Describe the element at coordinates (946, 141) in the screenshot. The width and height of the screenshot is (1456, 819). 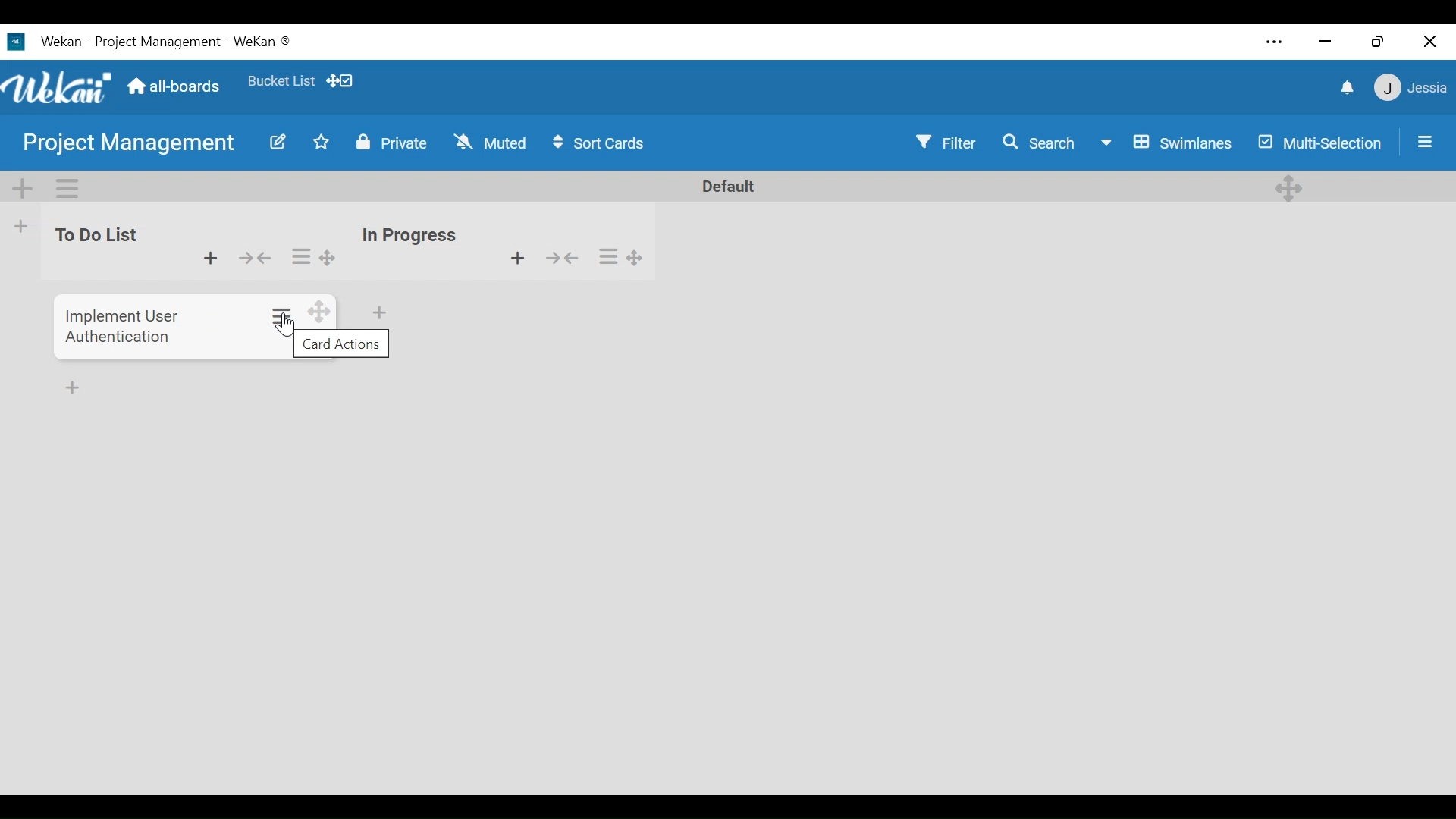
I see `Y Filter` at that location.